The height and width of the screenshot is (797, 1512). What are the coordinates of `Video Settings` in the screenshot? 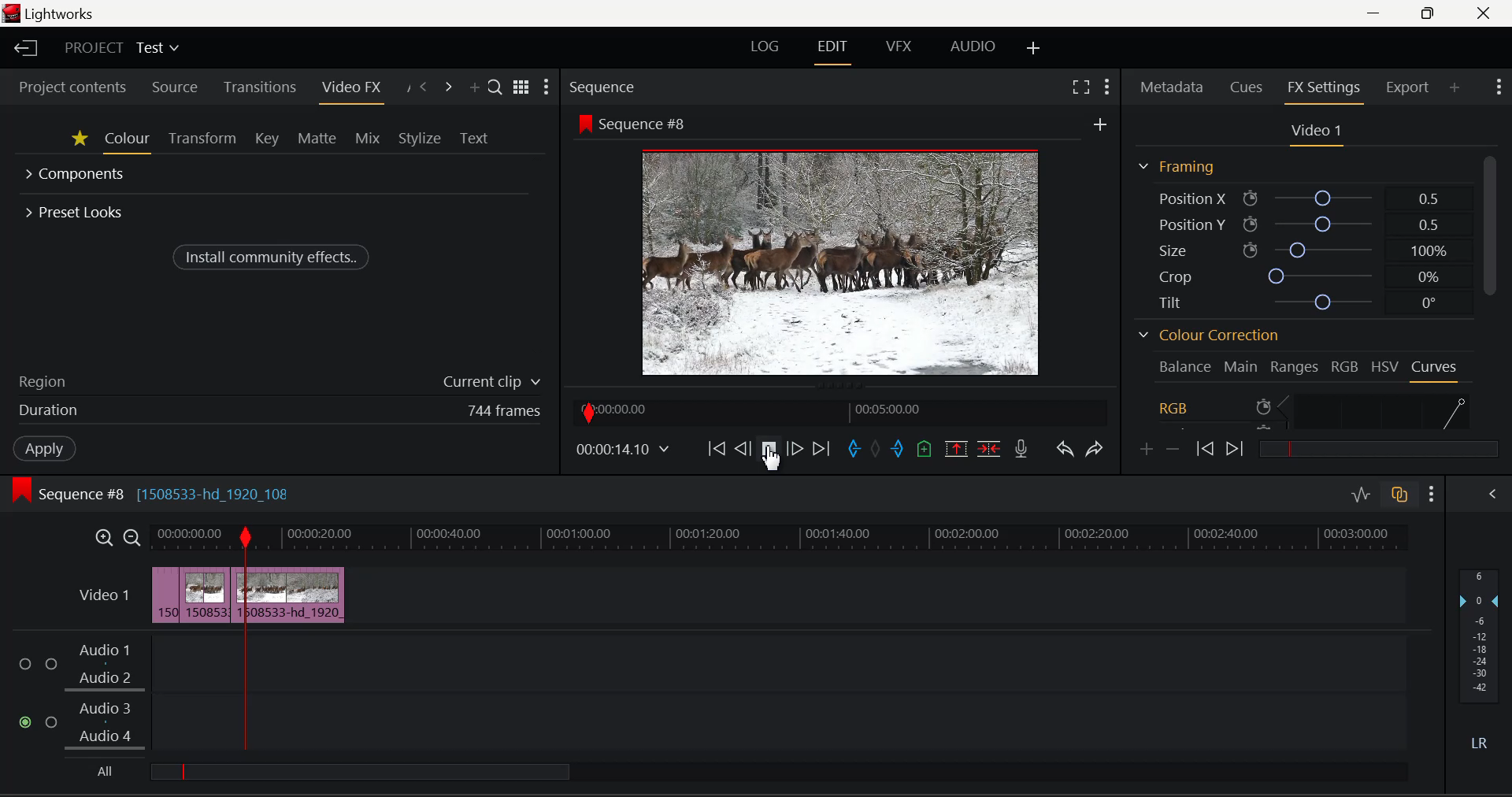 It's located at (1312, 132).